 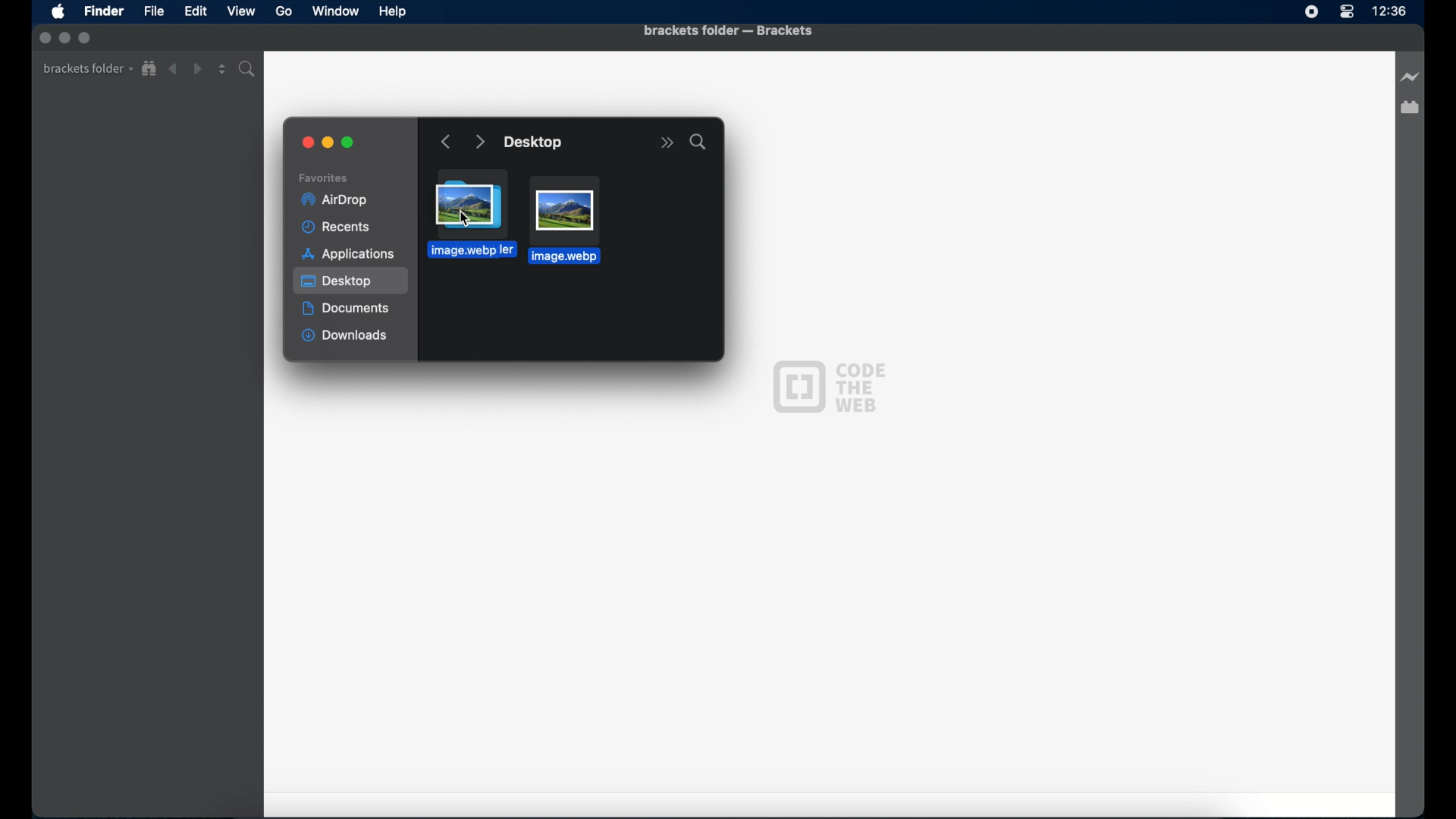 What do you see at coordinates (58, 13) in the screenshot?
I see `apple icon` at bounding box center [58, 13].